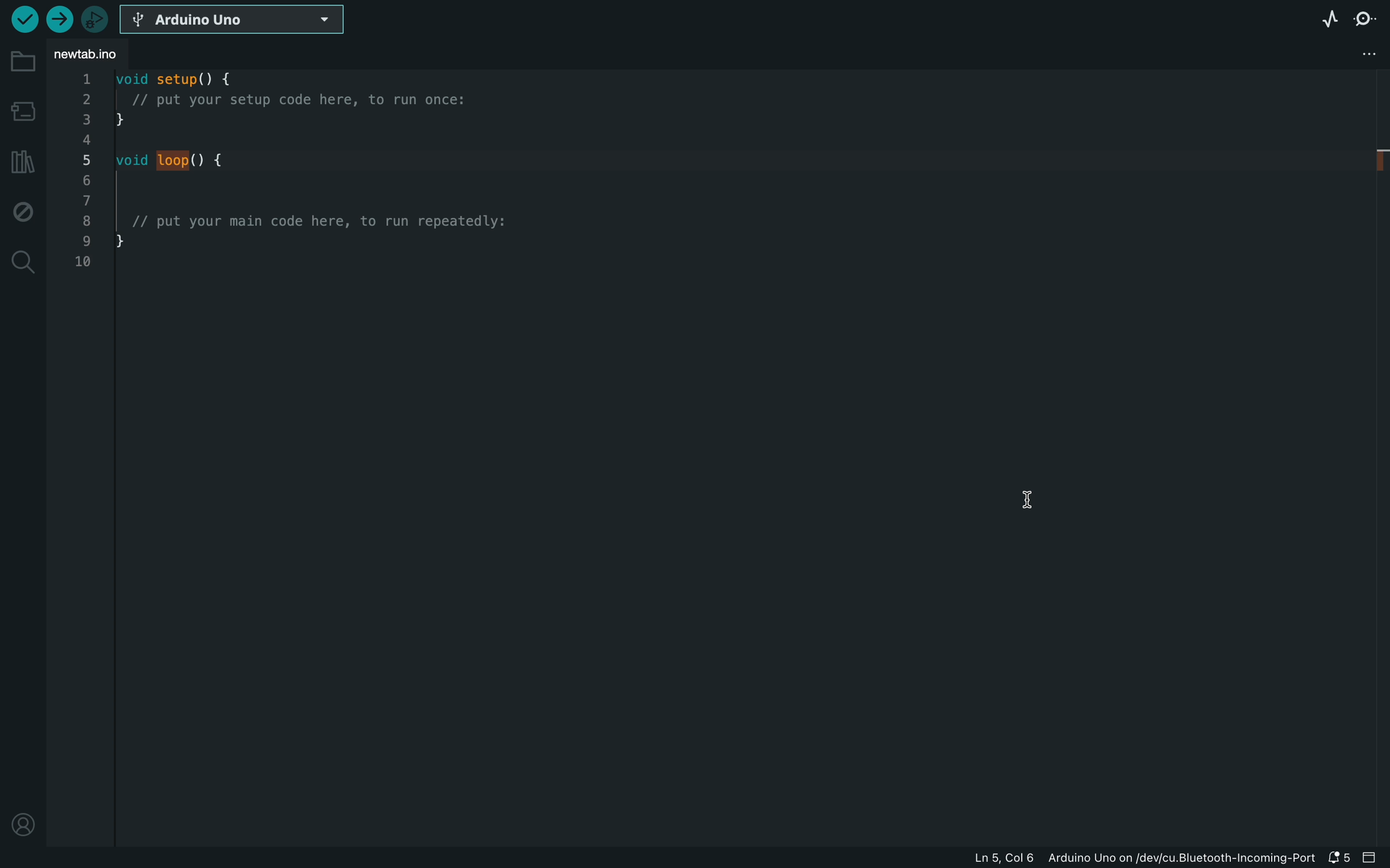 The height and width of the screenshot is (868, 1390). Describe the element at coordinates (1147, 854) in the screenshot. I see `file information` at that location.